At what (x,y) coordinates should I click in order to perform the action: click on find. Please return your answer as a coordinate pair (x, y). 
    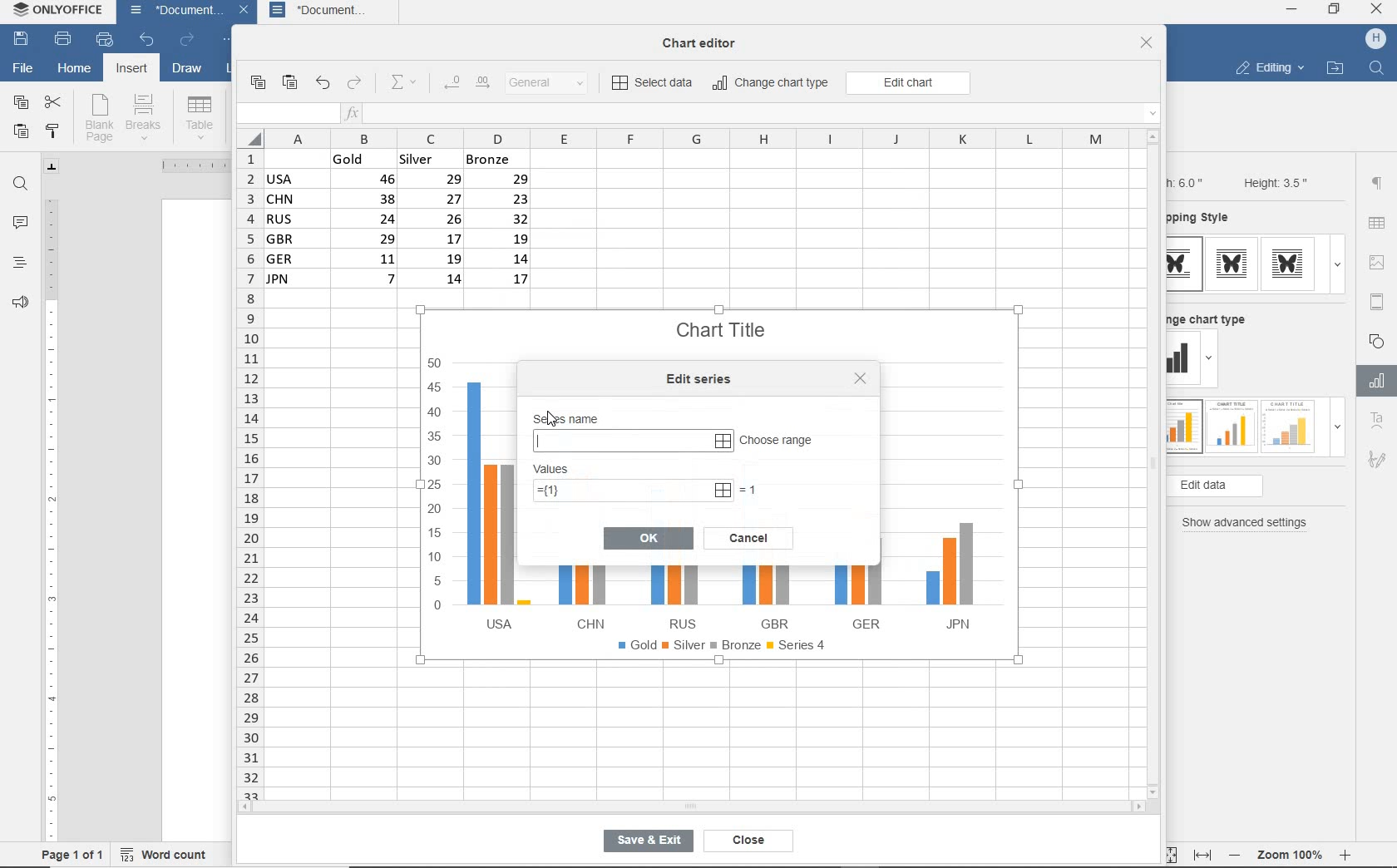
    Looking at the image, I should click on (22, 184).